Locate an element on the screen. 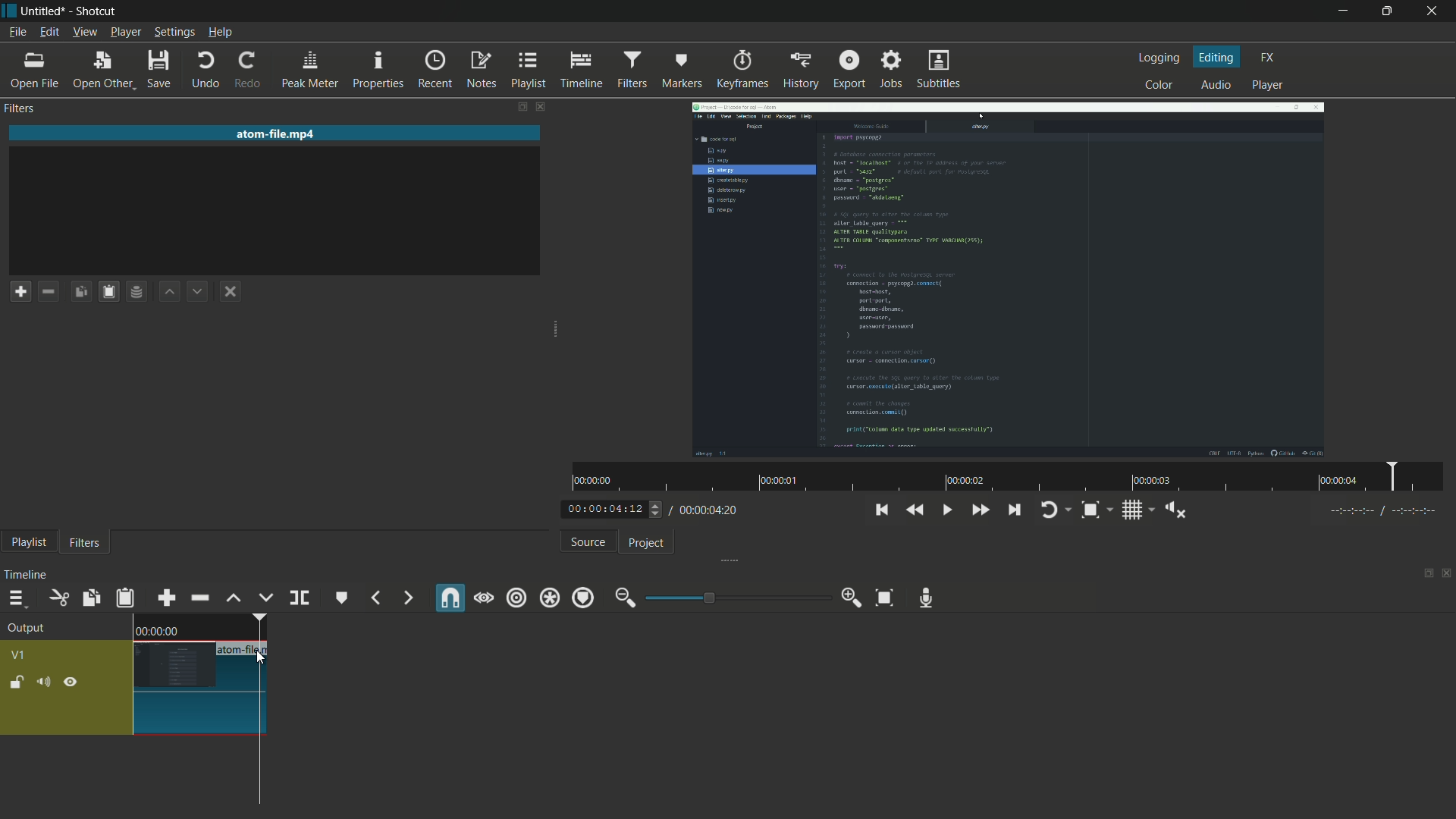 This screenshot has width=1456, height=819. record audio is located at coordinates (924, 598).